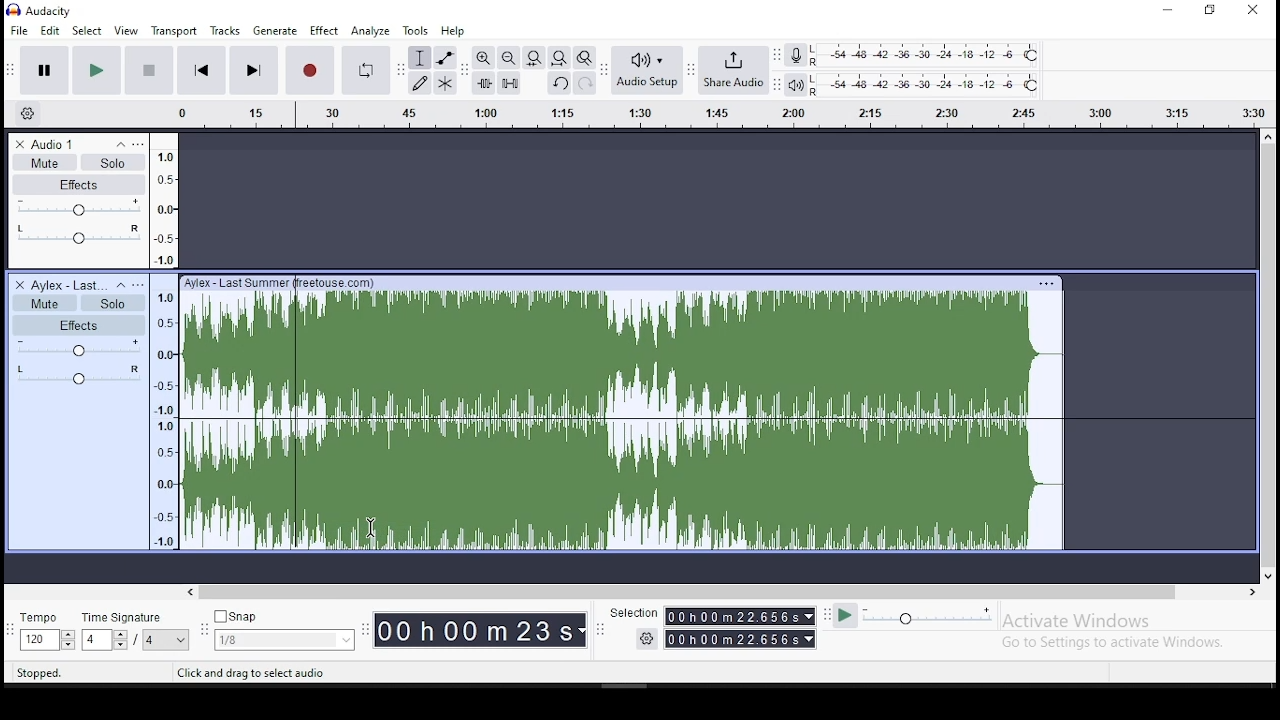 This screenshot has height=720, width=1280. I want to click on stop, so click(149, 70).